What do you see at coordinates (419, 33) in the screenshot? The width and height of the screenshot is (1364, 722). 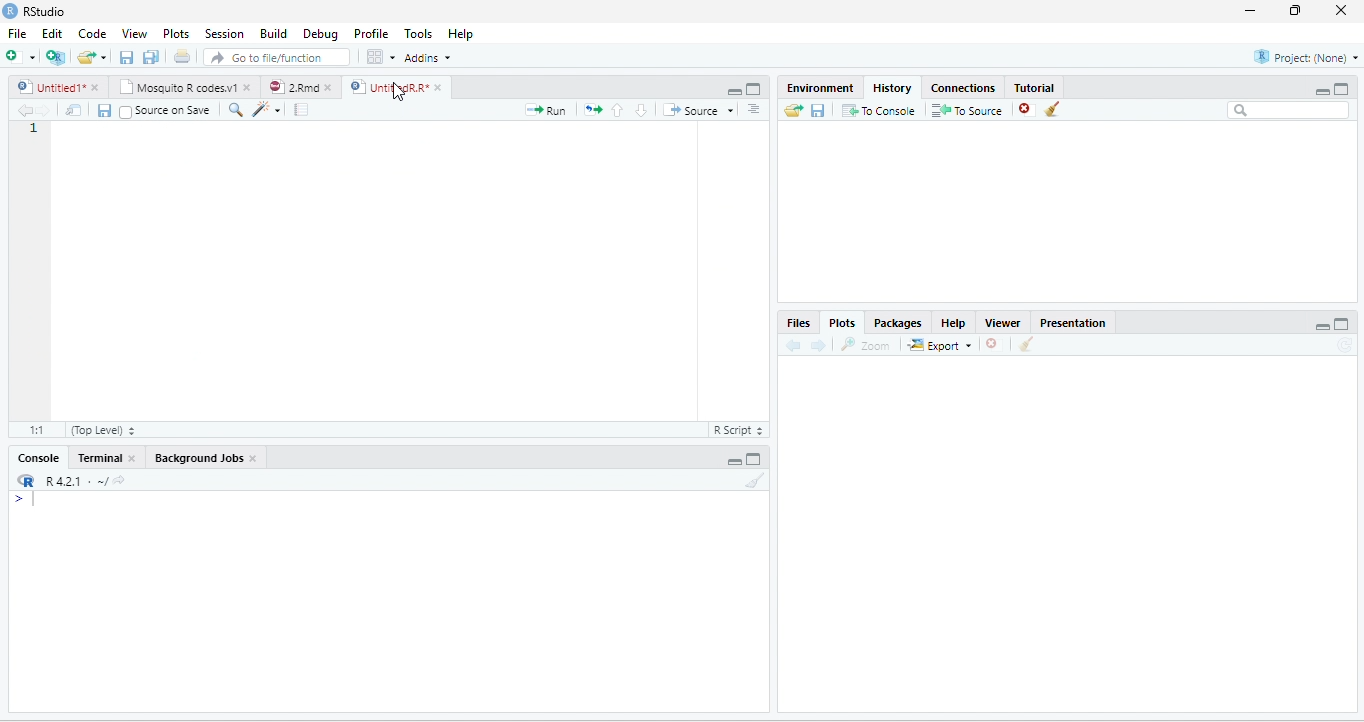 I see `Tools` at bounding box center [419, 33].